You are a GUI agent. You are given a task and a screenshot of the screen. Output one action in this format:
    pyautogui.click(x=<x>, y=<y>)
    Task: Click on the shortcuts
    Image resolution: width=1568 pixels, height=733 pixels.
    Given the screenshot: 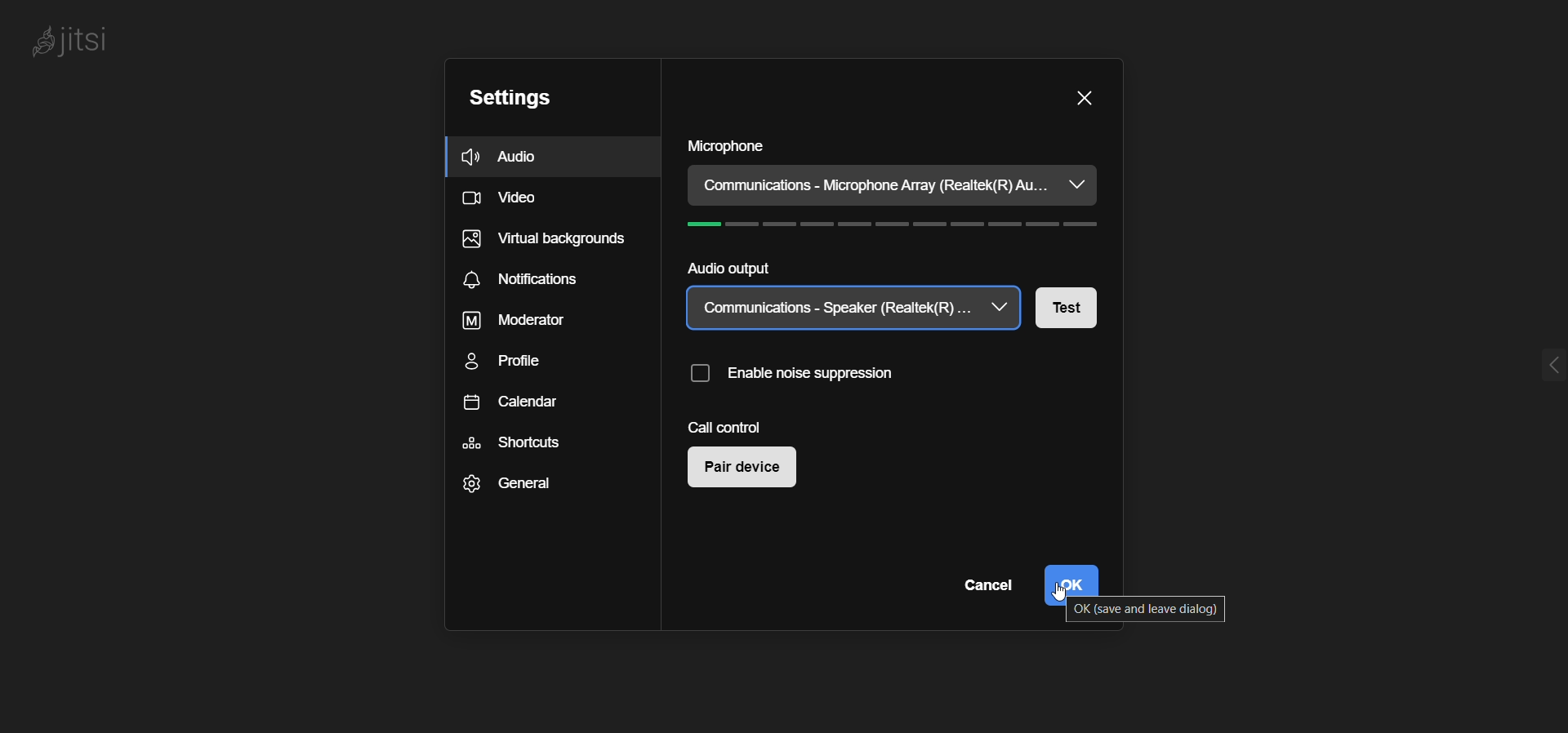 What is the action you would take?
    pyautogui.click(x=511, y=443)
    